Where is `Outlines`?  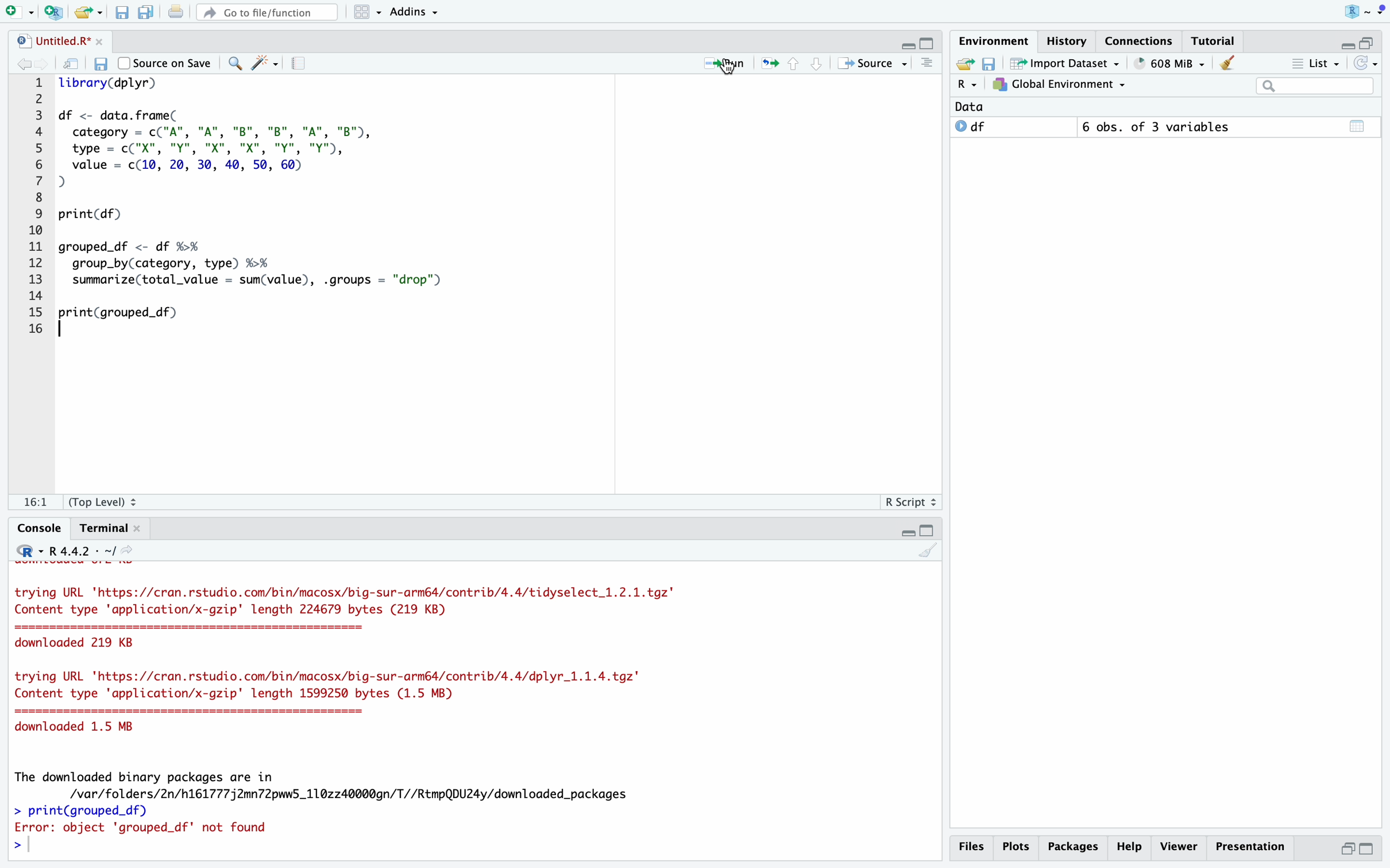 Outlines is located at coordinates (929, 63).